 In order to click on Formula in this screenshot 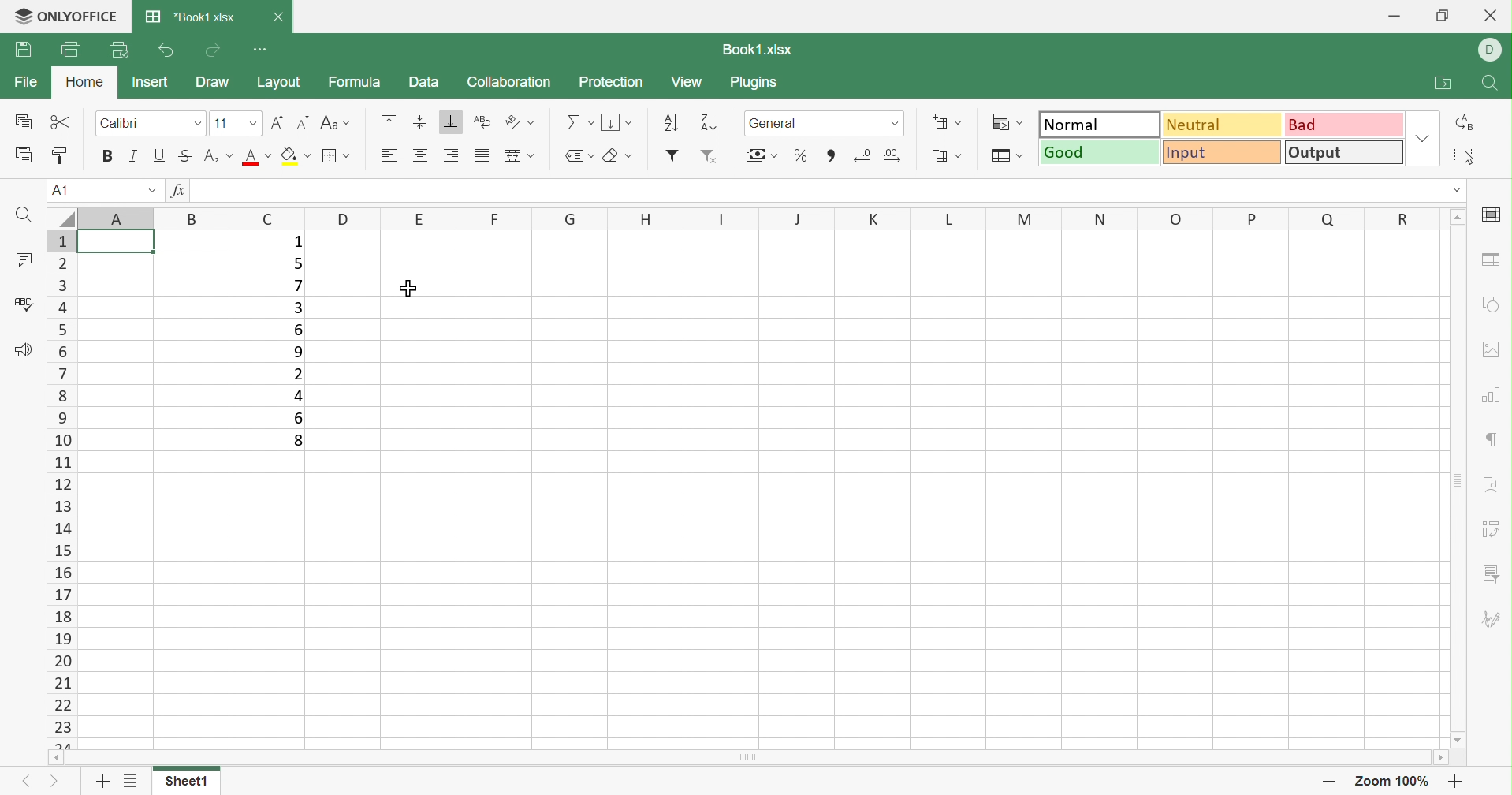, I will do `click(360, 83)`.